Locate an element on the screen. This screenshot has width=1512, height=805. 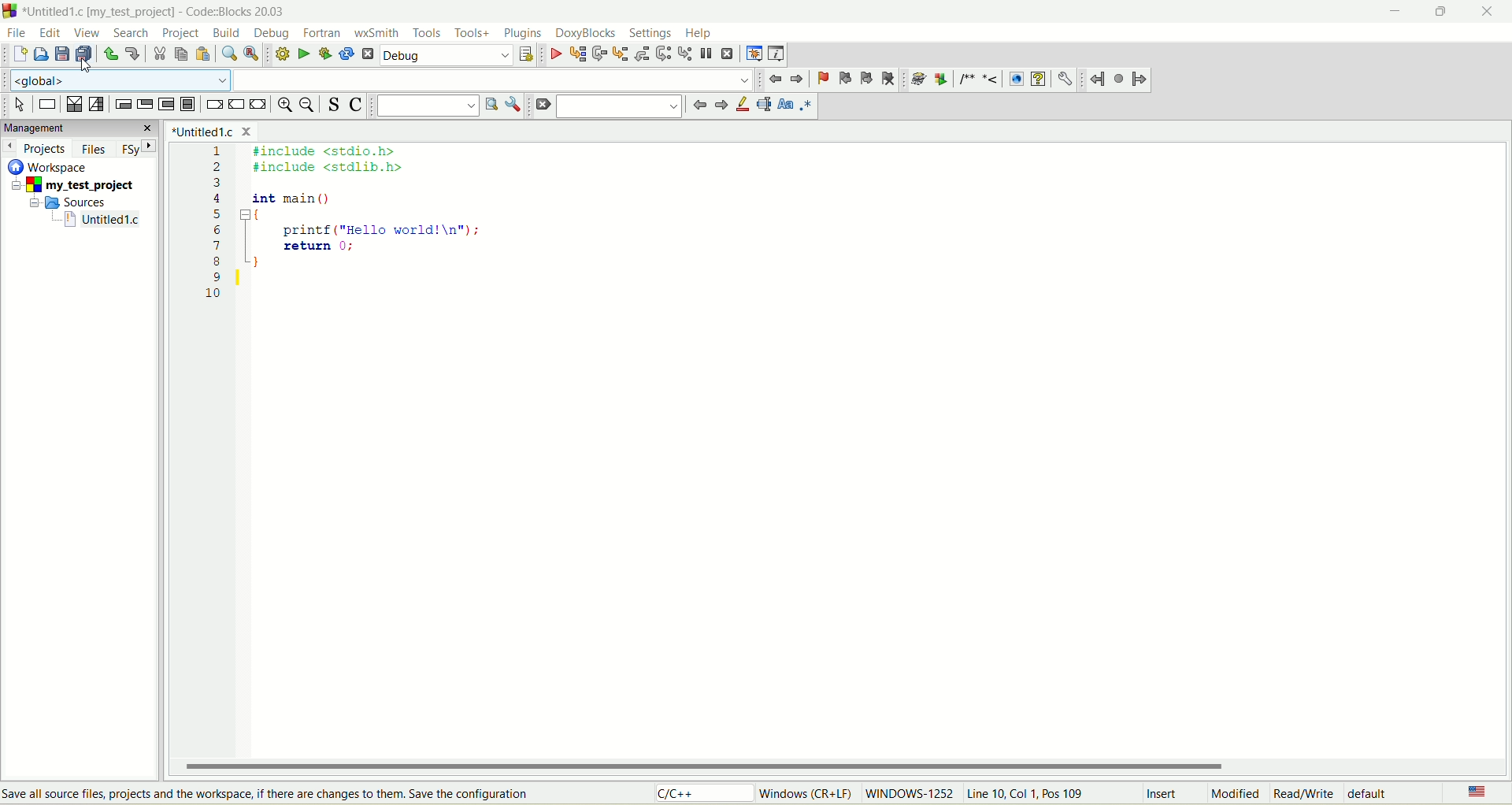
undo is located at coordinates (111, 54).